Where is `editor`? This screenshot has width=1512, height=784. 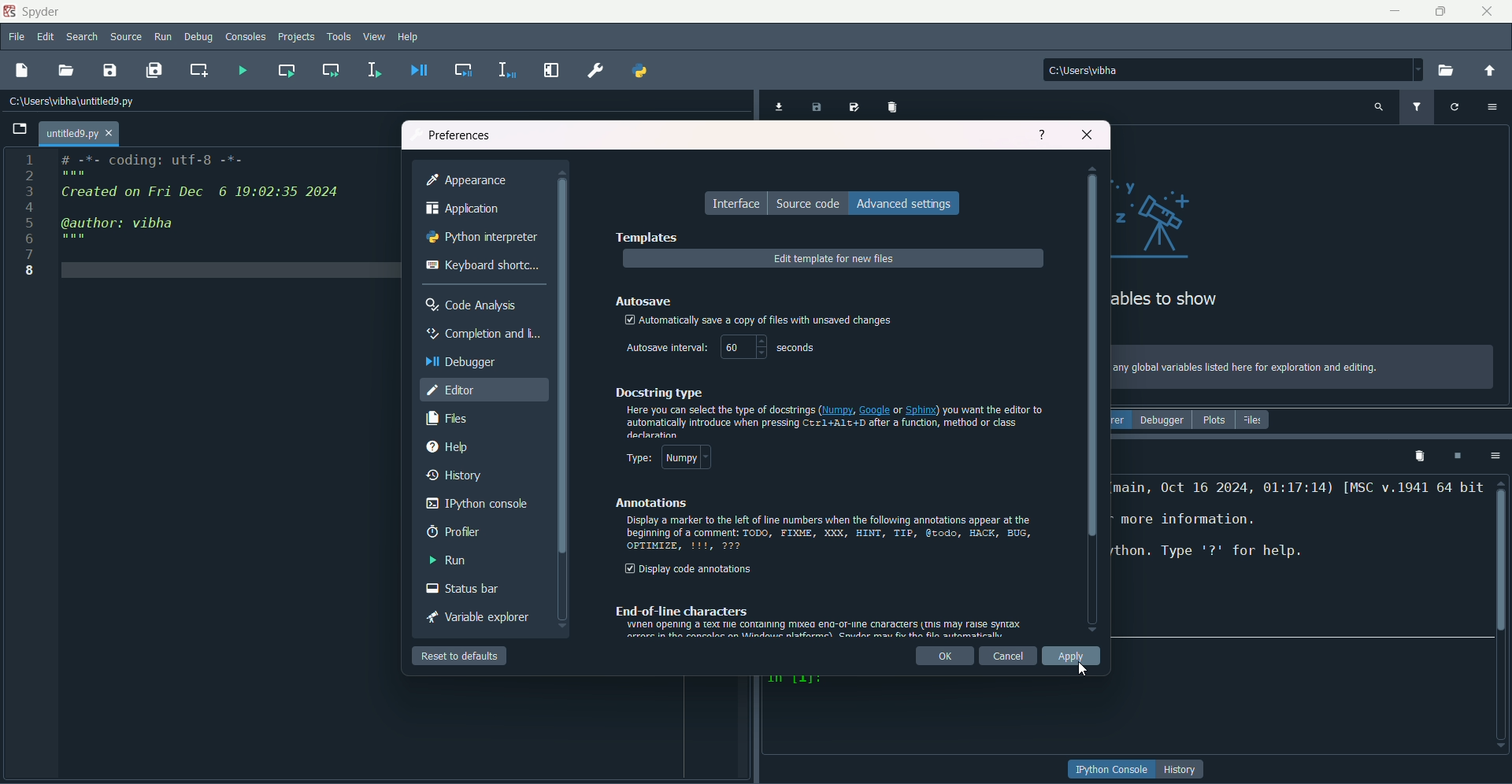 editor is located at coordinates (453, 390).